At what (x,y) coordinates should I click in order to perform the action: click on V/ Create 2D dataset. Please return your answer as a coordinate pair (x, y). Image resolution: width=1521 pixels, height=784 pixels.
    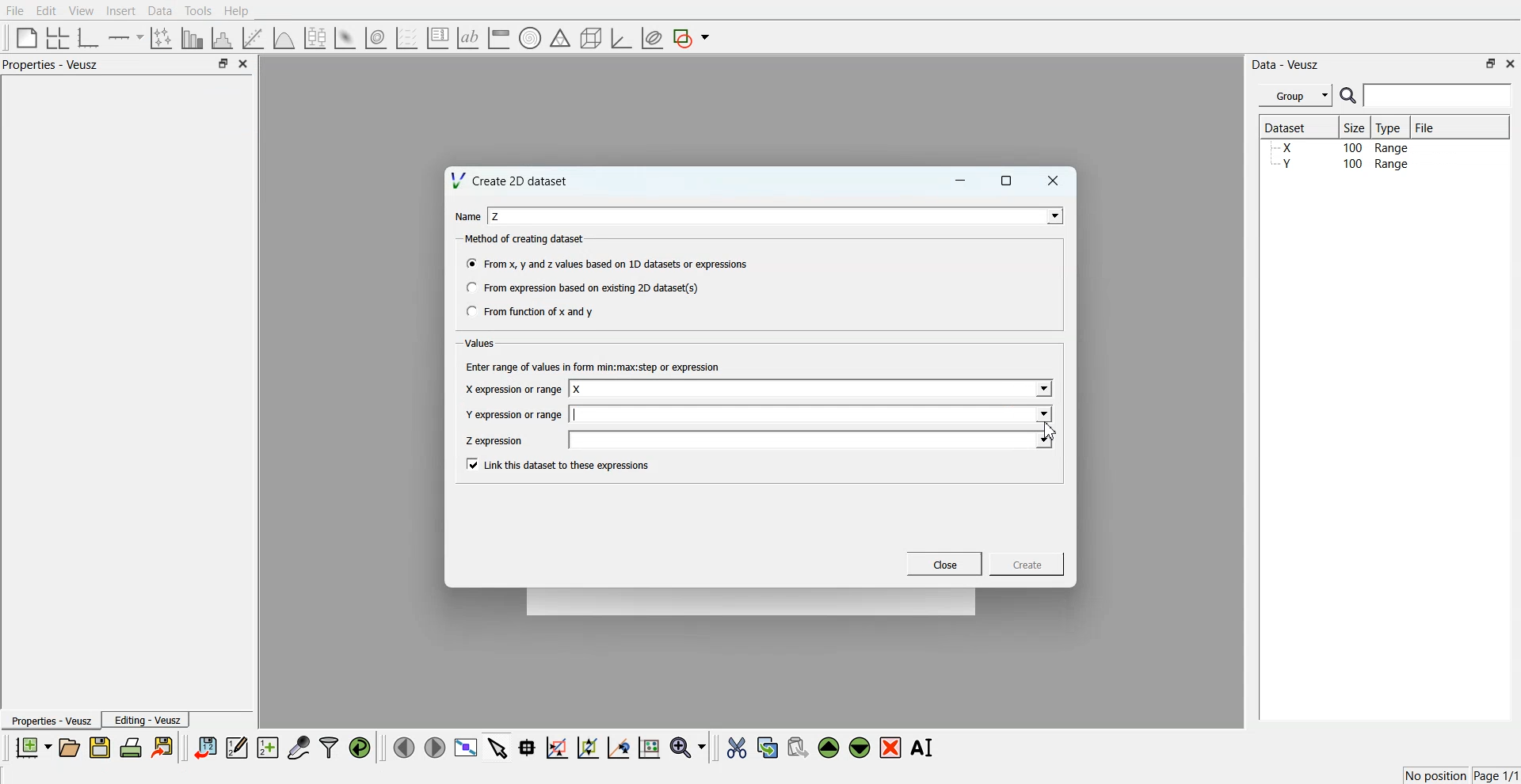
    Looking at the image, I should click on (511, 180).